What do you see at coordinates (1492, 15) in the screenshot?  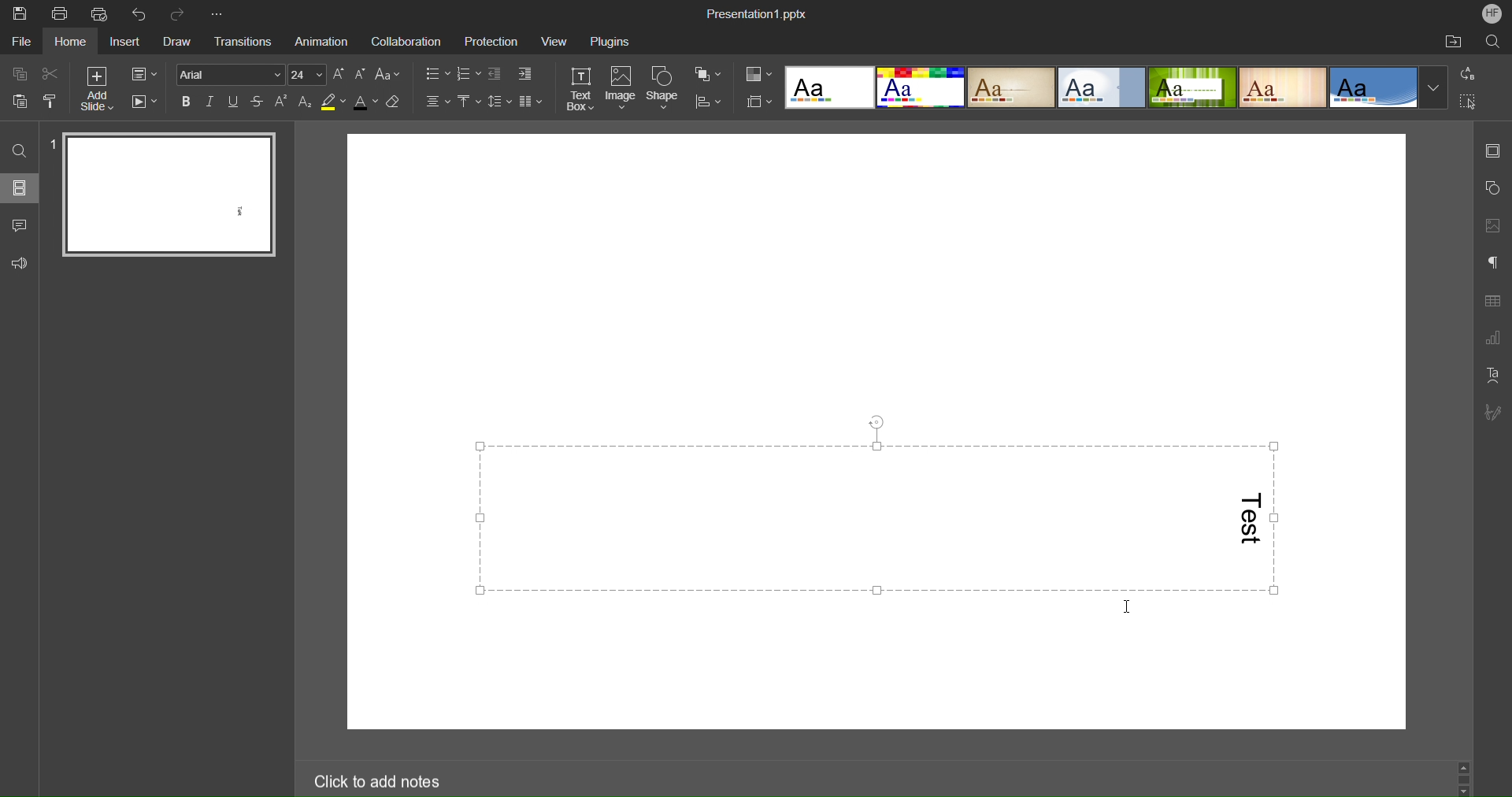 I see `Account` at bounding box center [1492, 15].